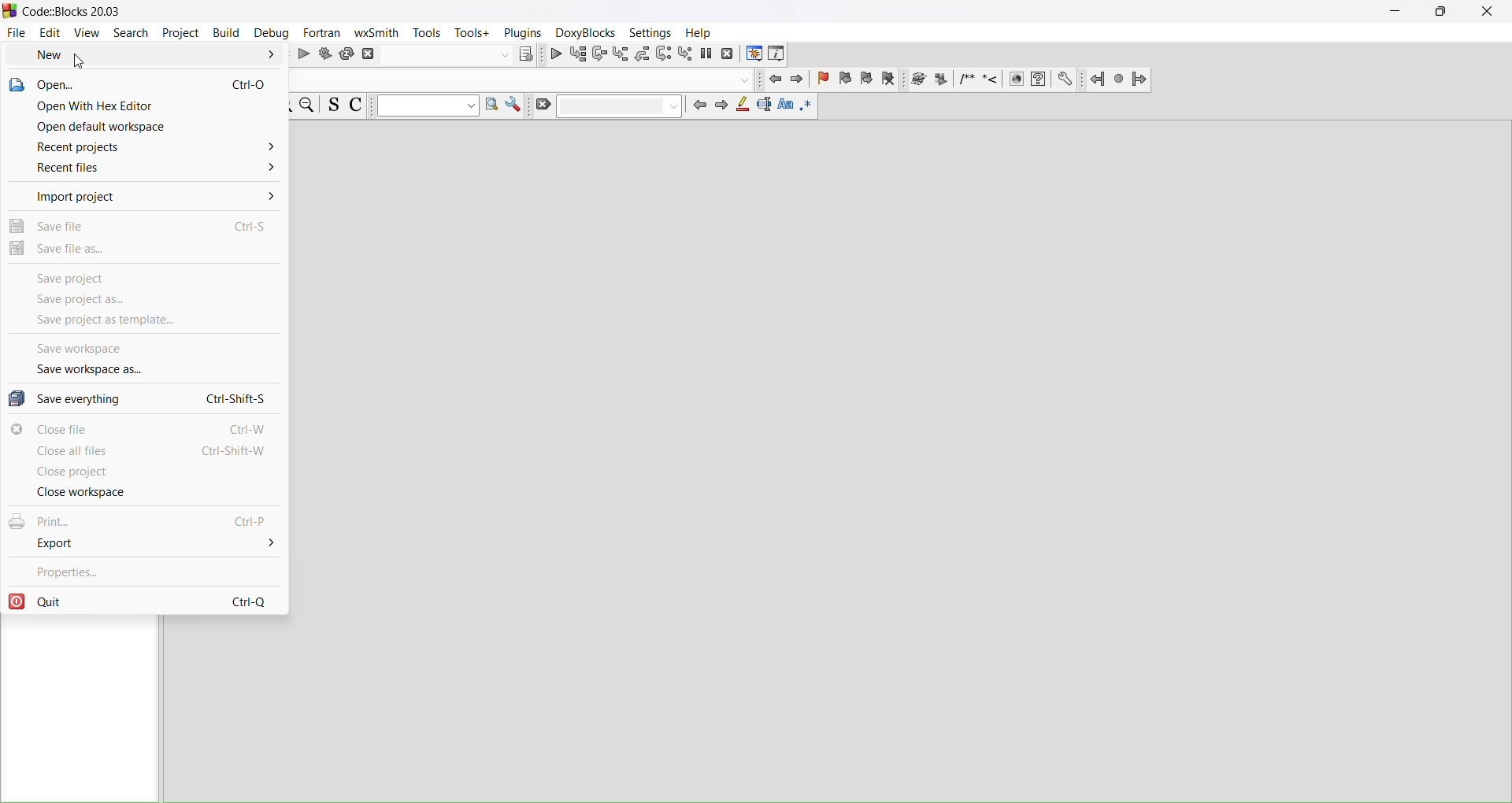 The image size is (1512, 803). What do you see at coordinates (1066, 79) in the screenshot?
I see `Preferences` at bounding box center [1066, 79].